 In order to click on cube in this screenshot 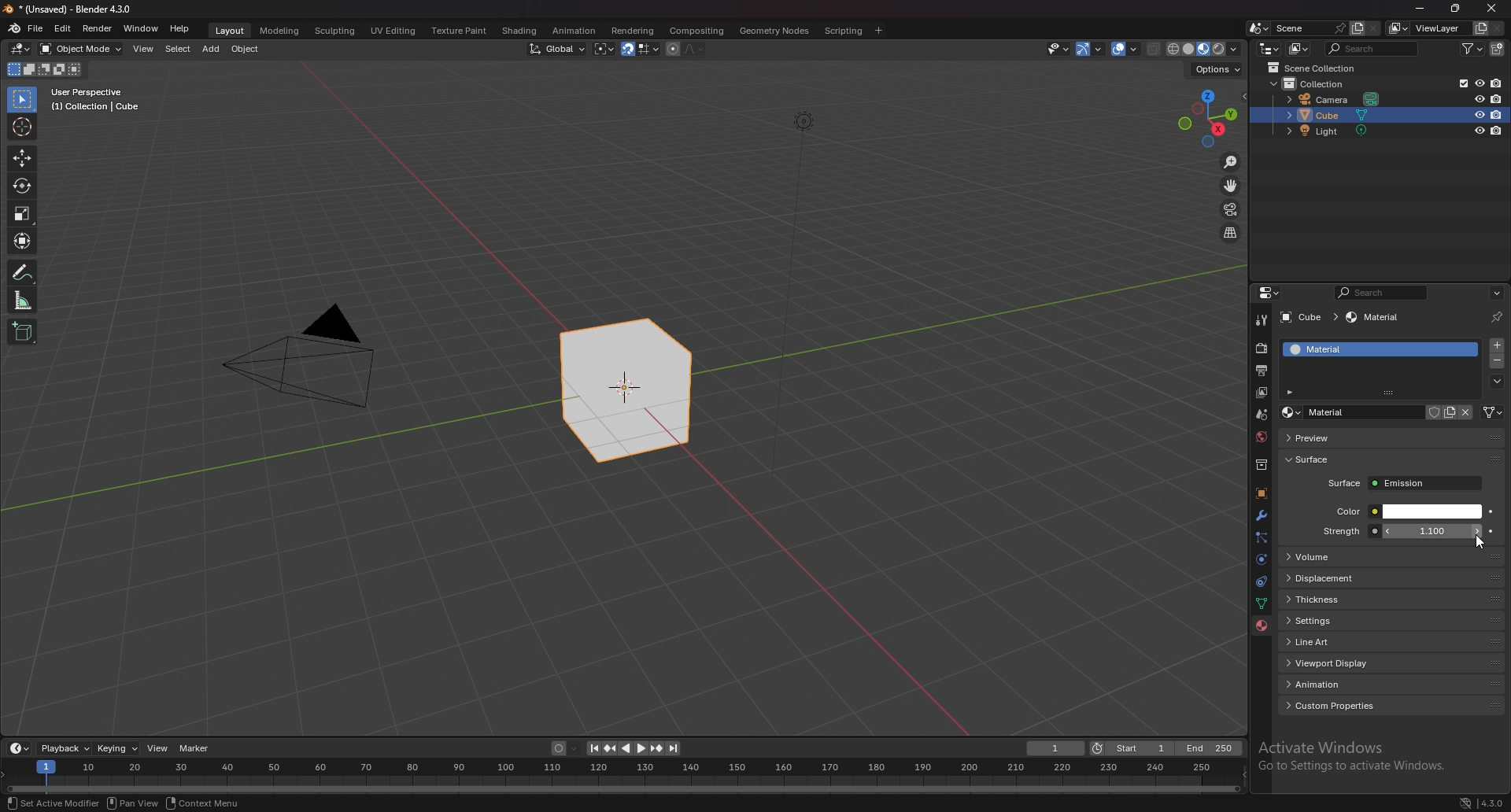, I will do `click(1308, 318)`.